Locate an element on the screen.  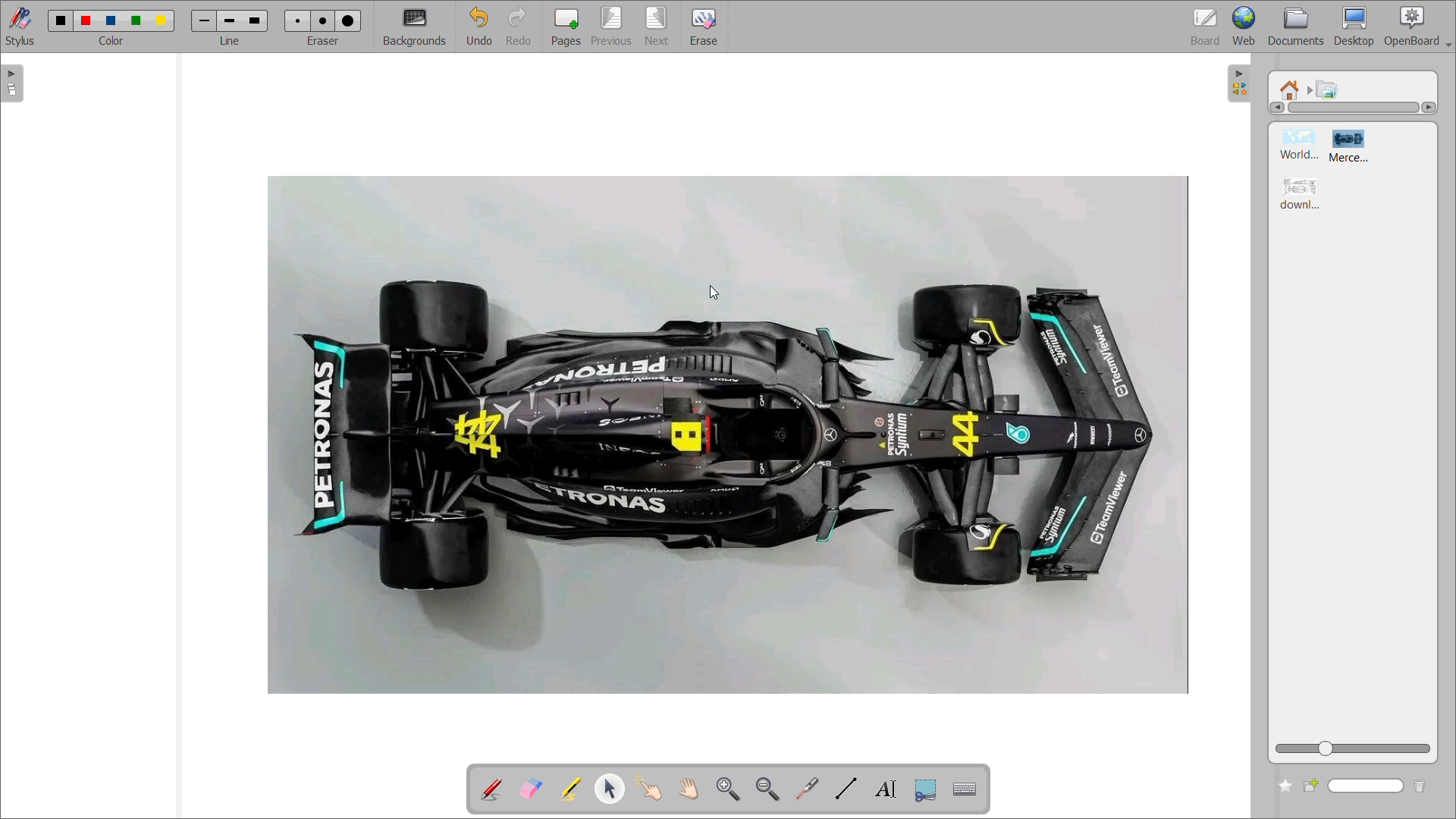
interact with items is located at coordinates (653, 790).